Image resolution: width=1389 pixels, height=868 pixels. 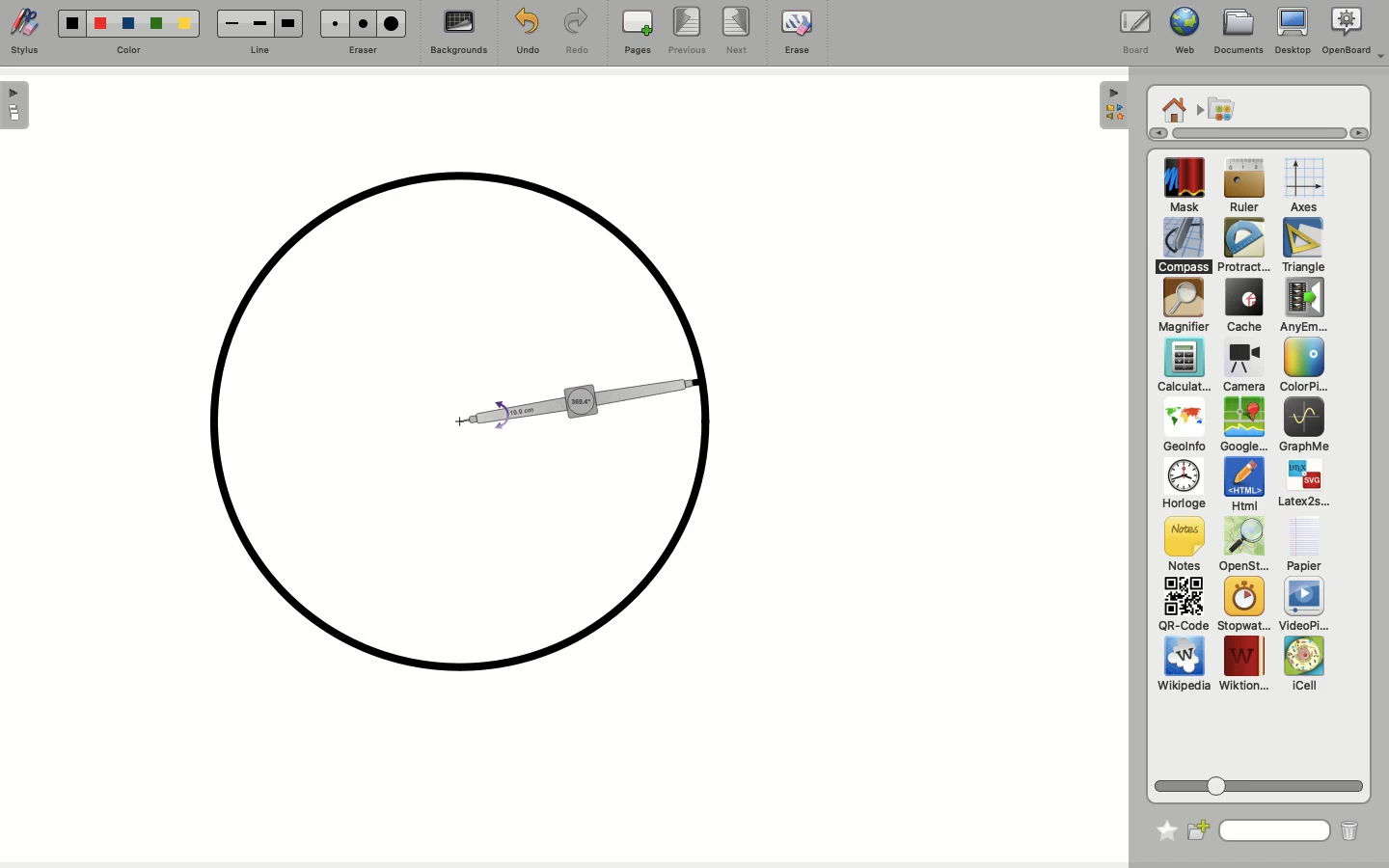 What do you see at coordinates (1262, 782) in the screenshot?
I see `Scroll` at bounding box center [1262, 782].